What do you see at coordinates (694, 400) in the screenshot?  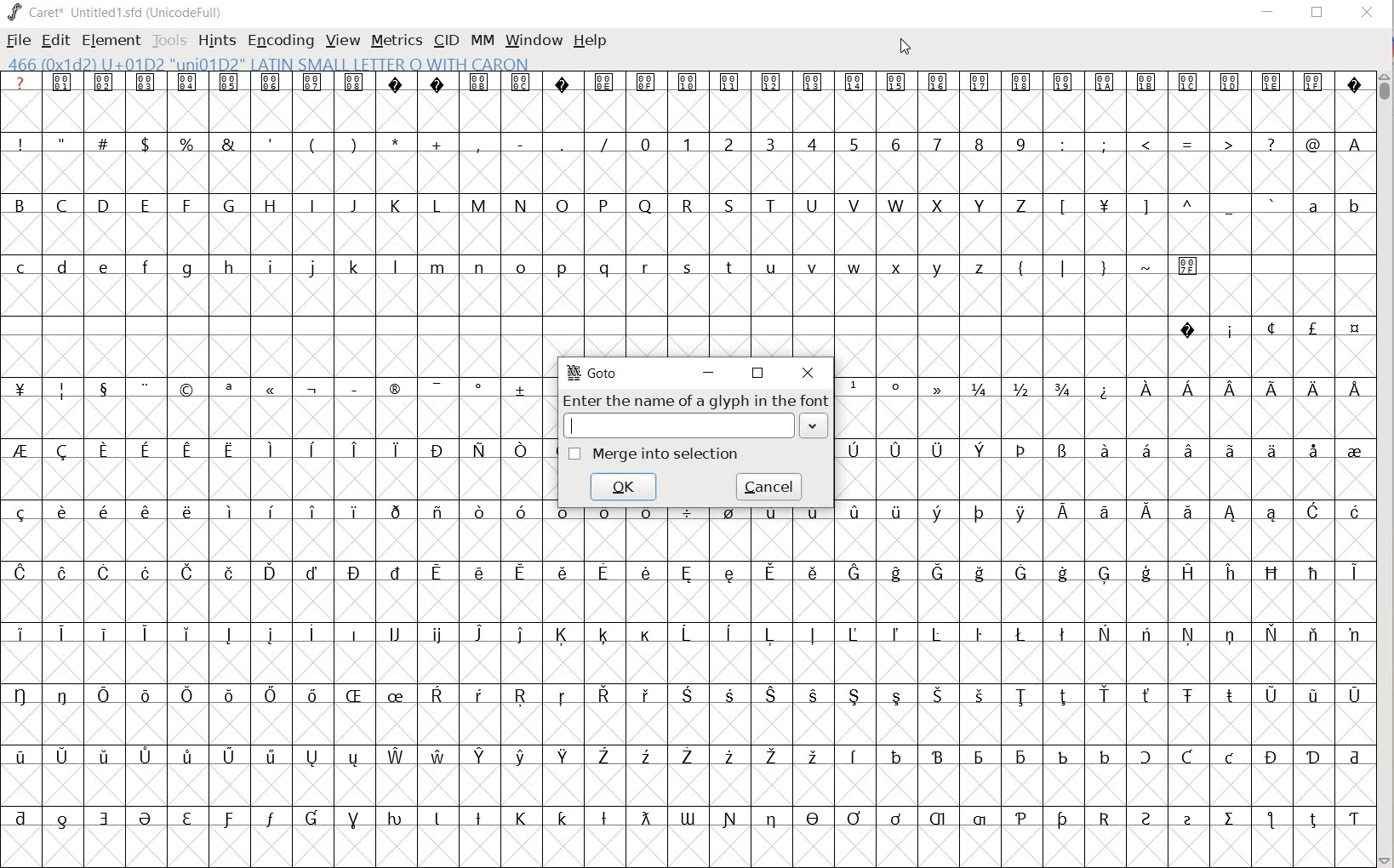 I see `ENTER THE NAME OF A GLYPH IN THE FONT` at bounding box center [694, 400].